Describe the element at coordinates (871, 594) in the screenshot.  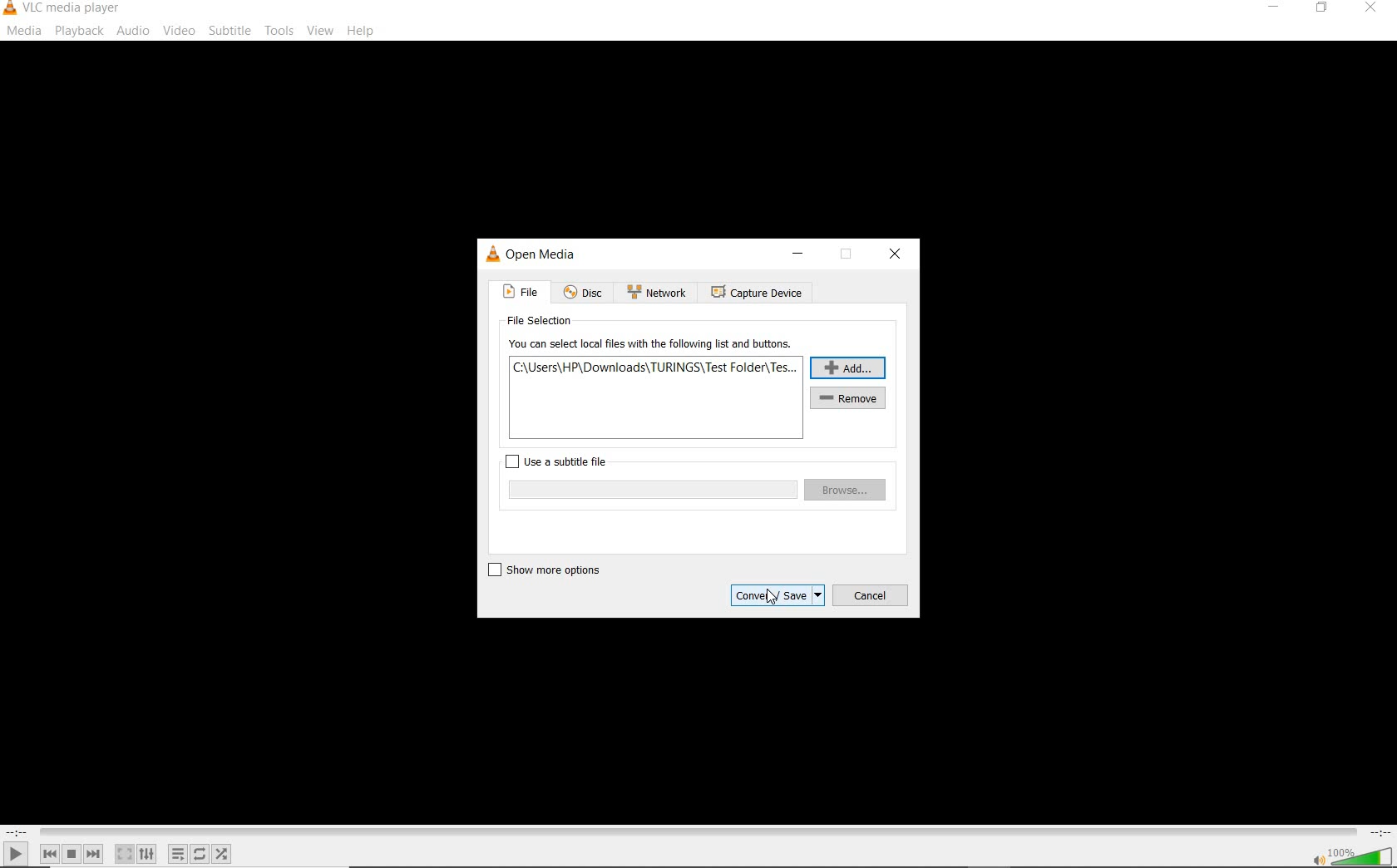
I see `cancel` at that location.